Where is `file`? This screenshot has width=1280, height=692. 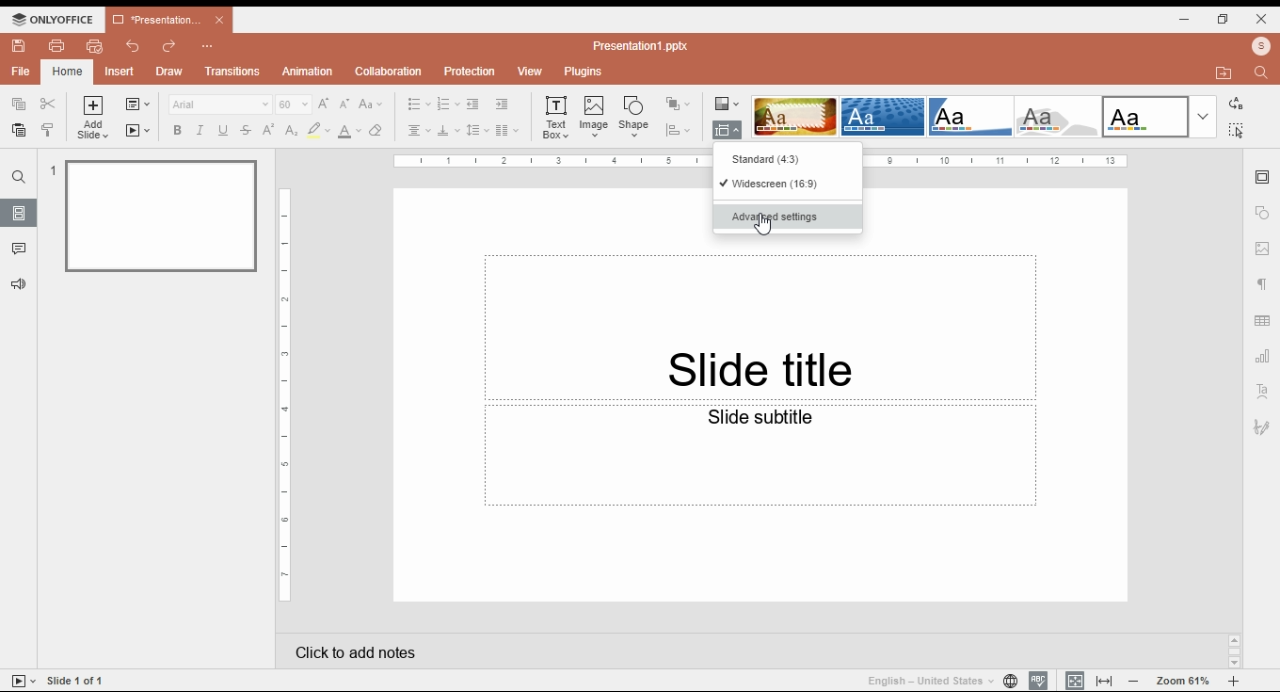
file is located at coordinates (21, 71).